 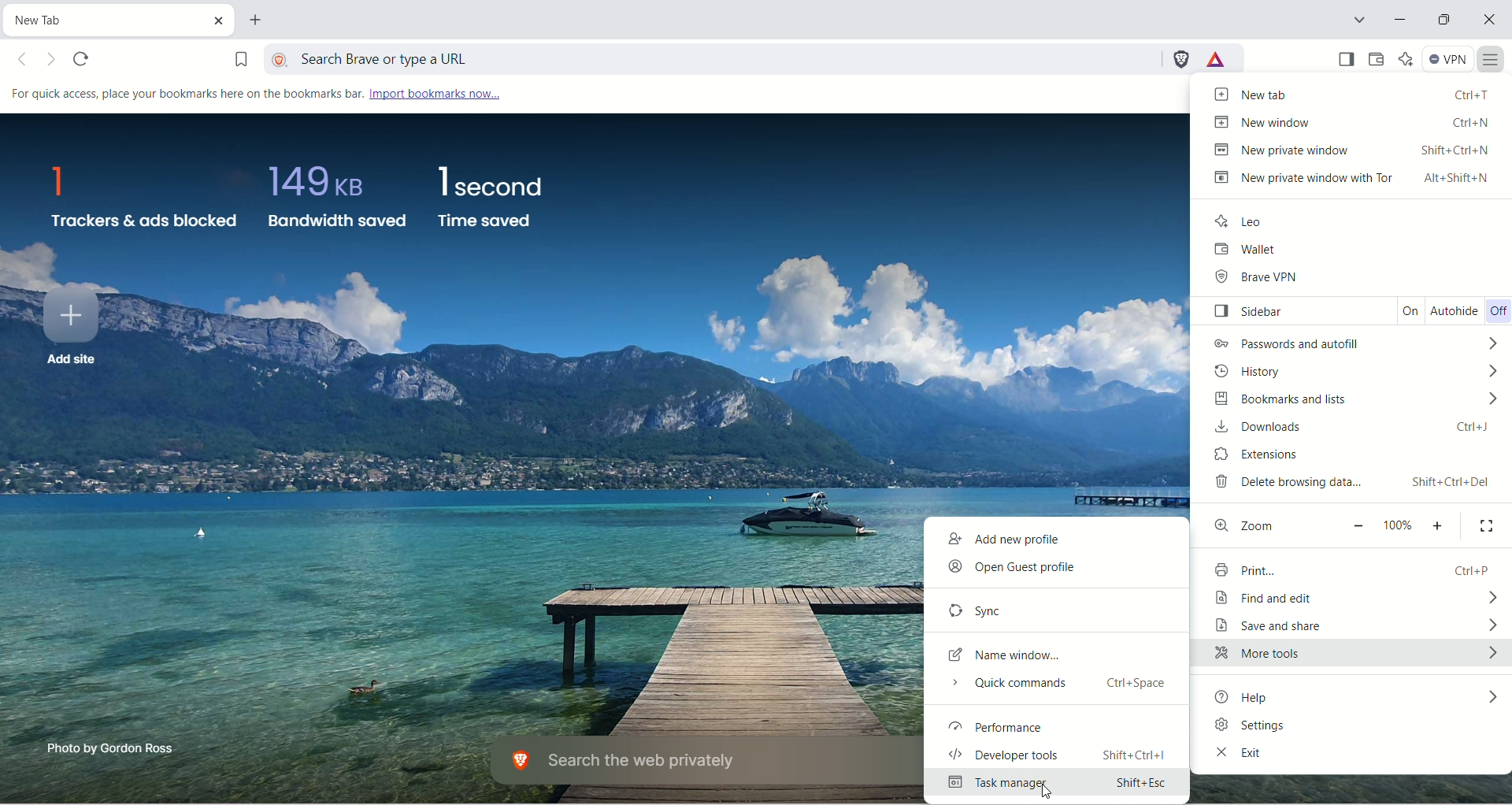 I want to click on new tab, so click(x=1354, y=94).